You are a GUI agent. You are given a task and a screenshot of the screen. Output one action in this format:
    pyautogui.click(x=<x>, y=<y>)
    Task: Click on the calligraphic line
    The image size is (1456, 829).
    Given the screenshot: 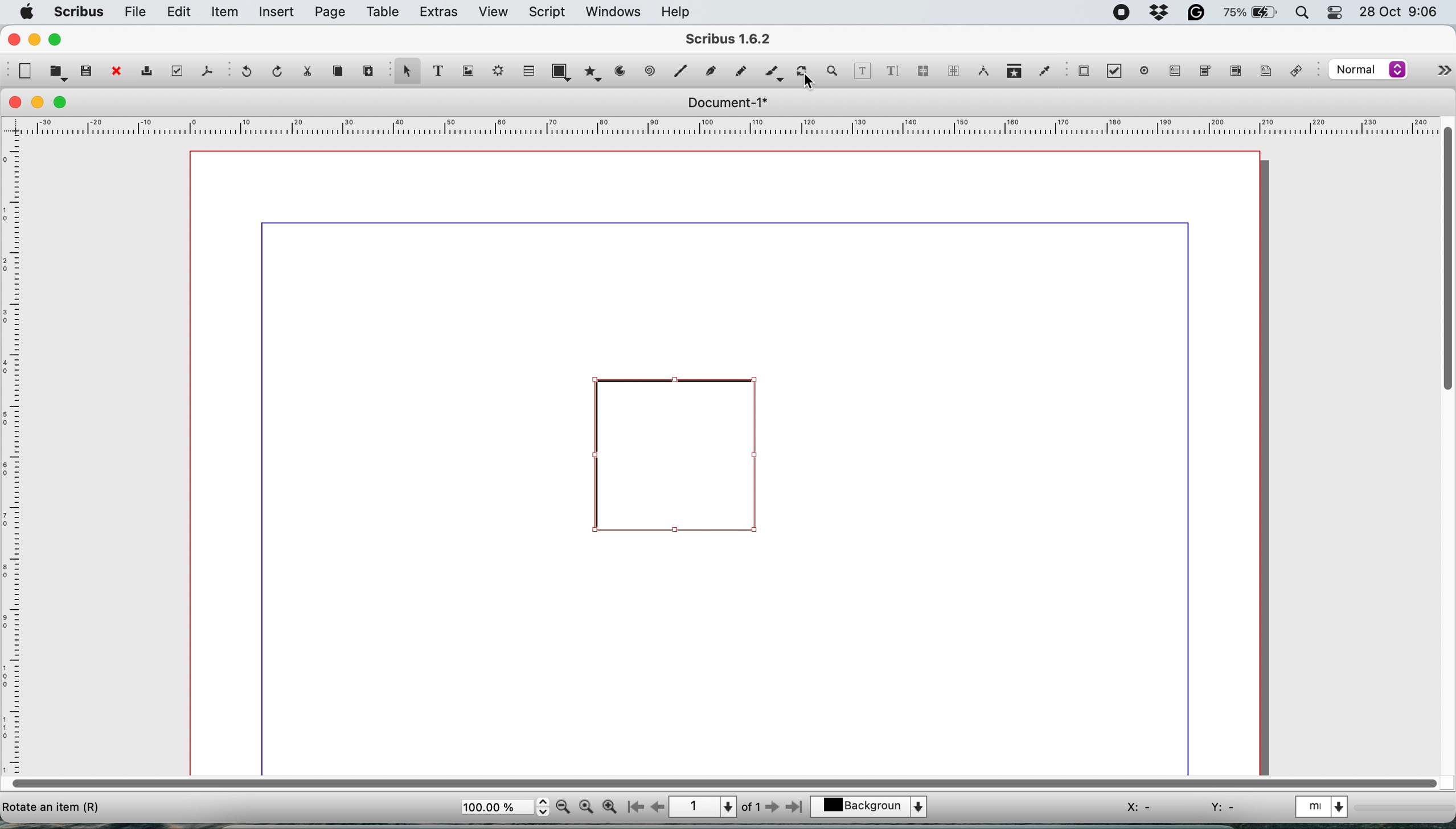 What is the action you would take?
    pyautogui.click(x=772, y=71)
    